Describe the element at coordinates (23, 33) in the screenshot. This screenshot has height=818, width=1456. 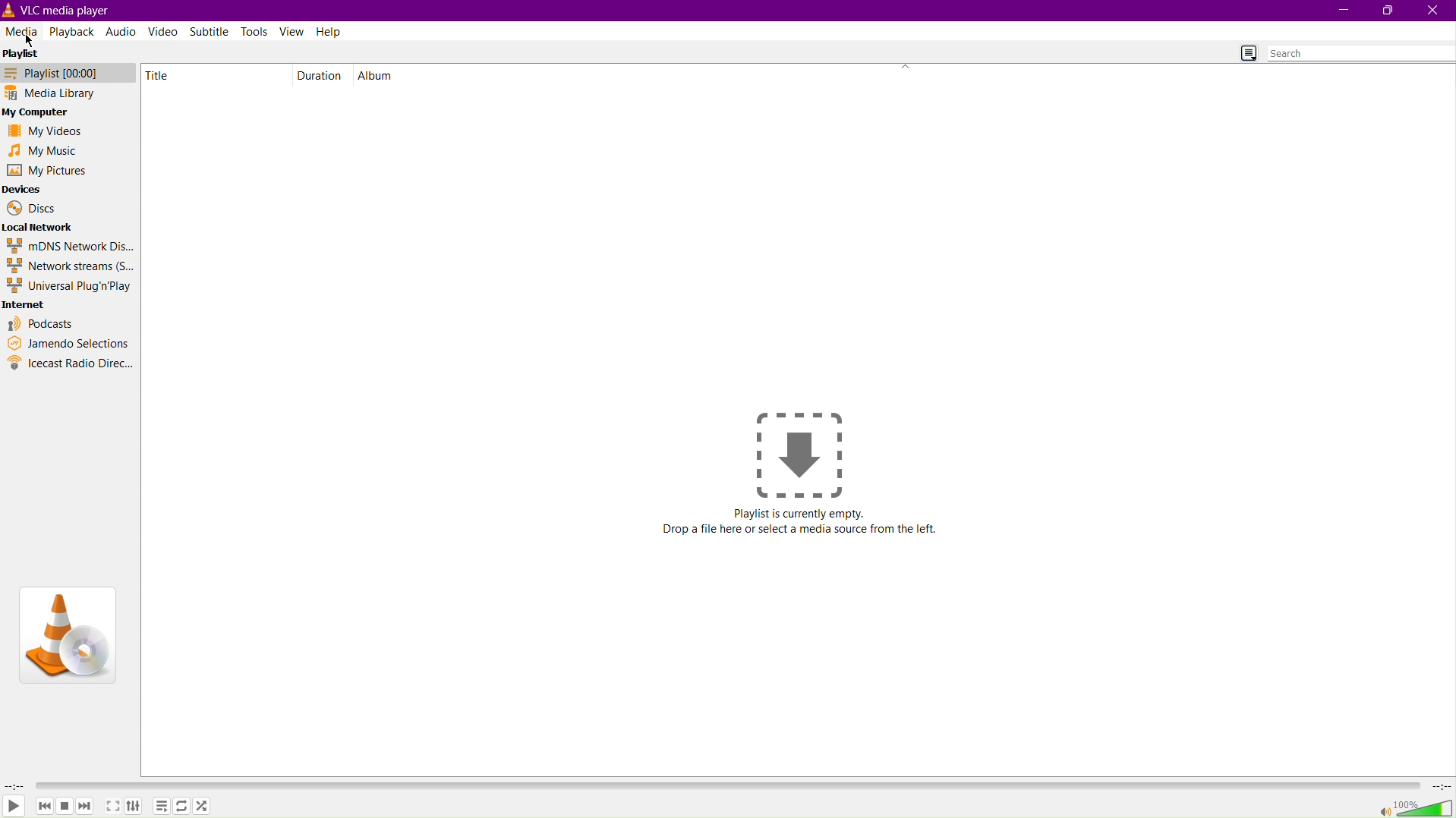
I see `Media` at that location.